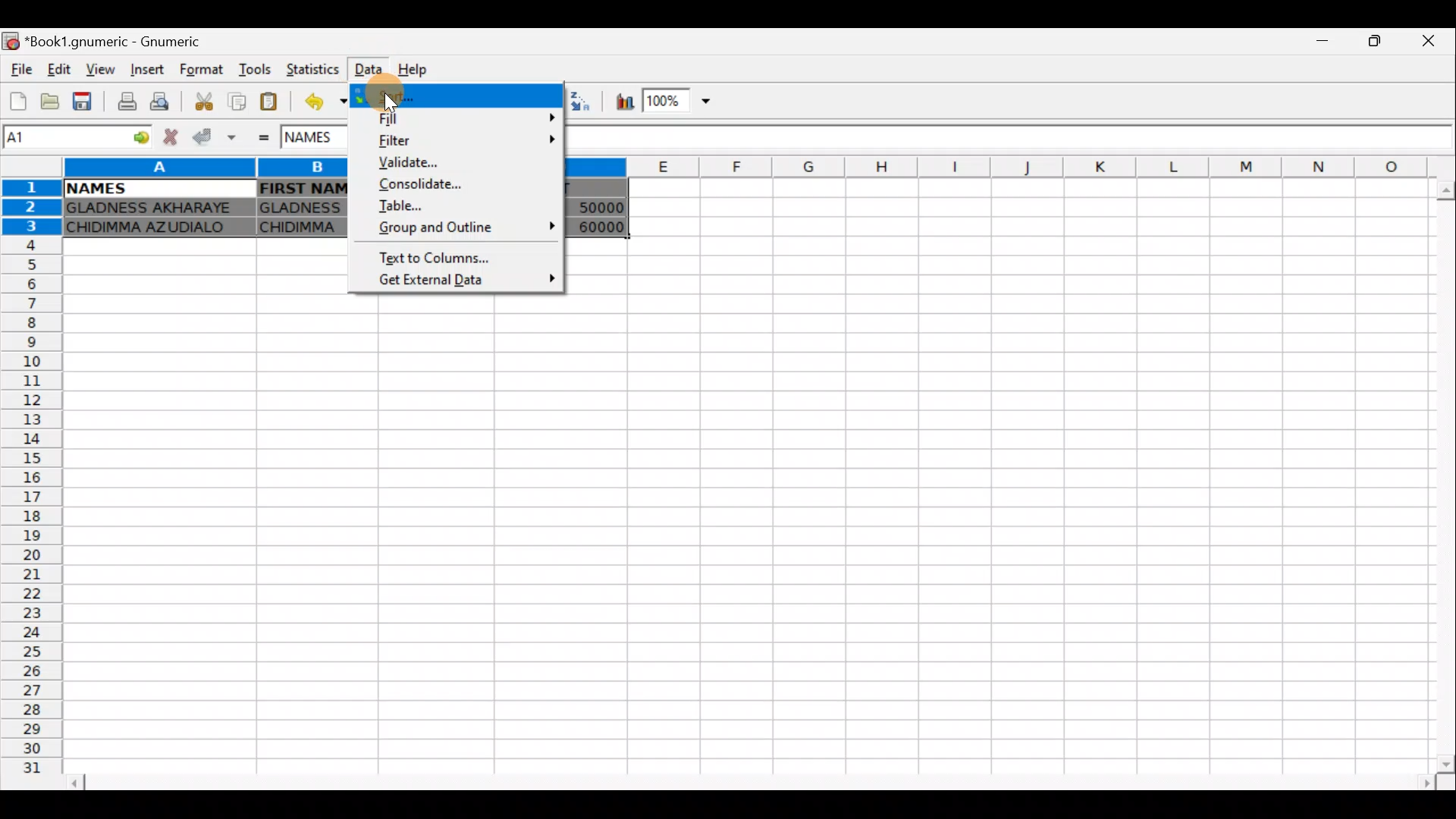 This screenshot has width=1456, height=819. What do you see at coordinates (96, 70) in the screenshot?
I see `View` at bounding box center [96, 70].